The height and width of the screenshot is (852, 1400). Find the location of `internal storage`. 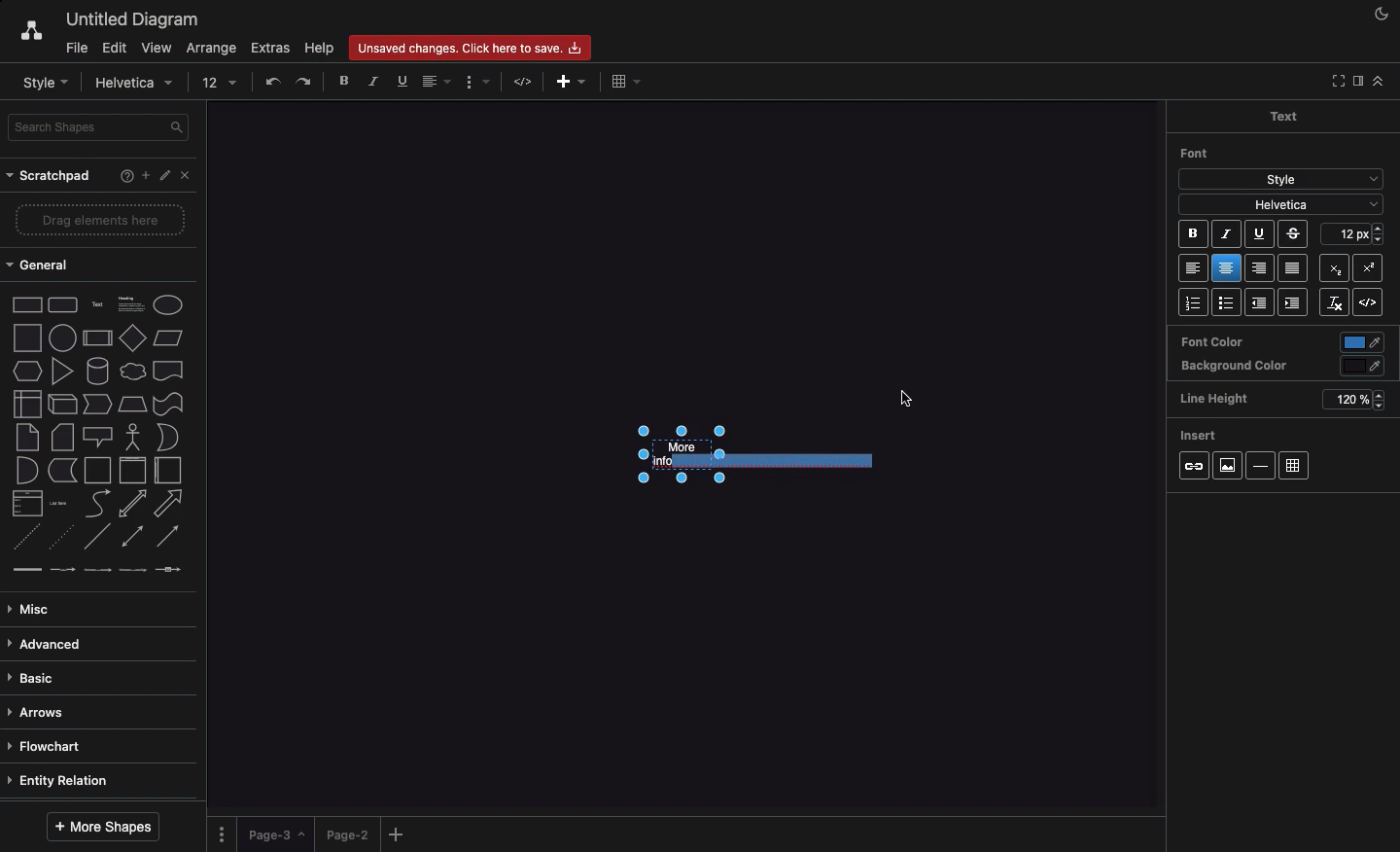

internal storage is located at coordinates (28, 404).